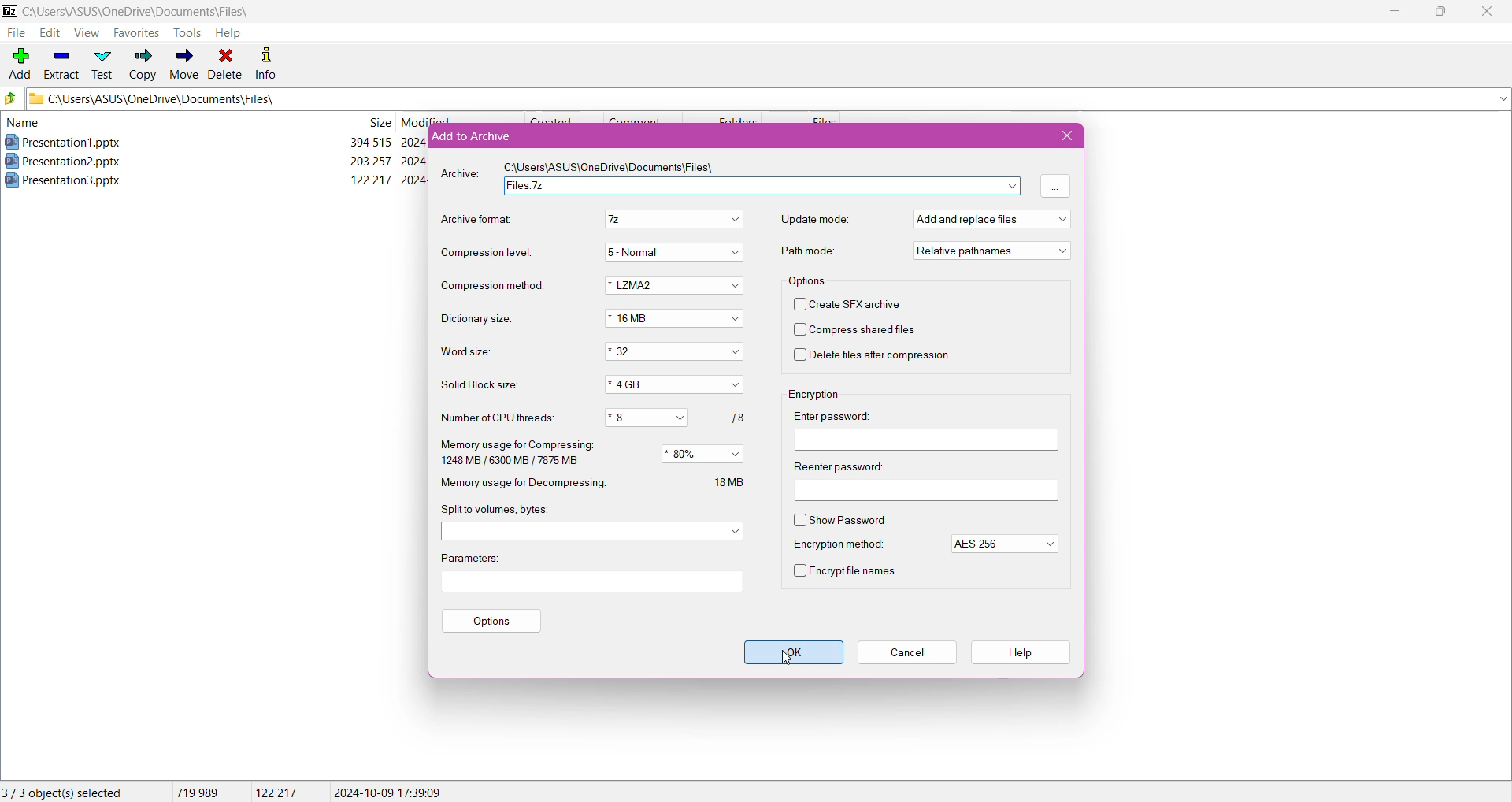 The height and width of the screenshot is (802, 1512). Describe the element at coordinates (1446, 11) in the screenshot. I see `Restore Down` at that location.